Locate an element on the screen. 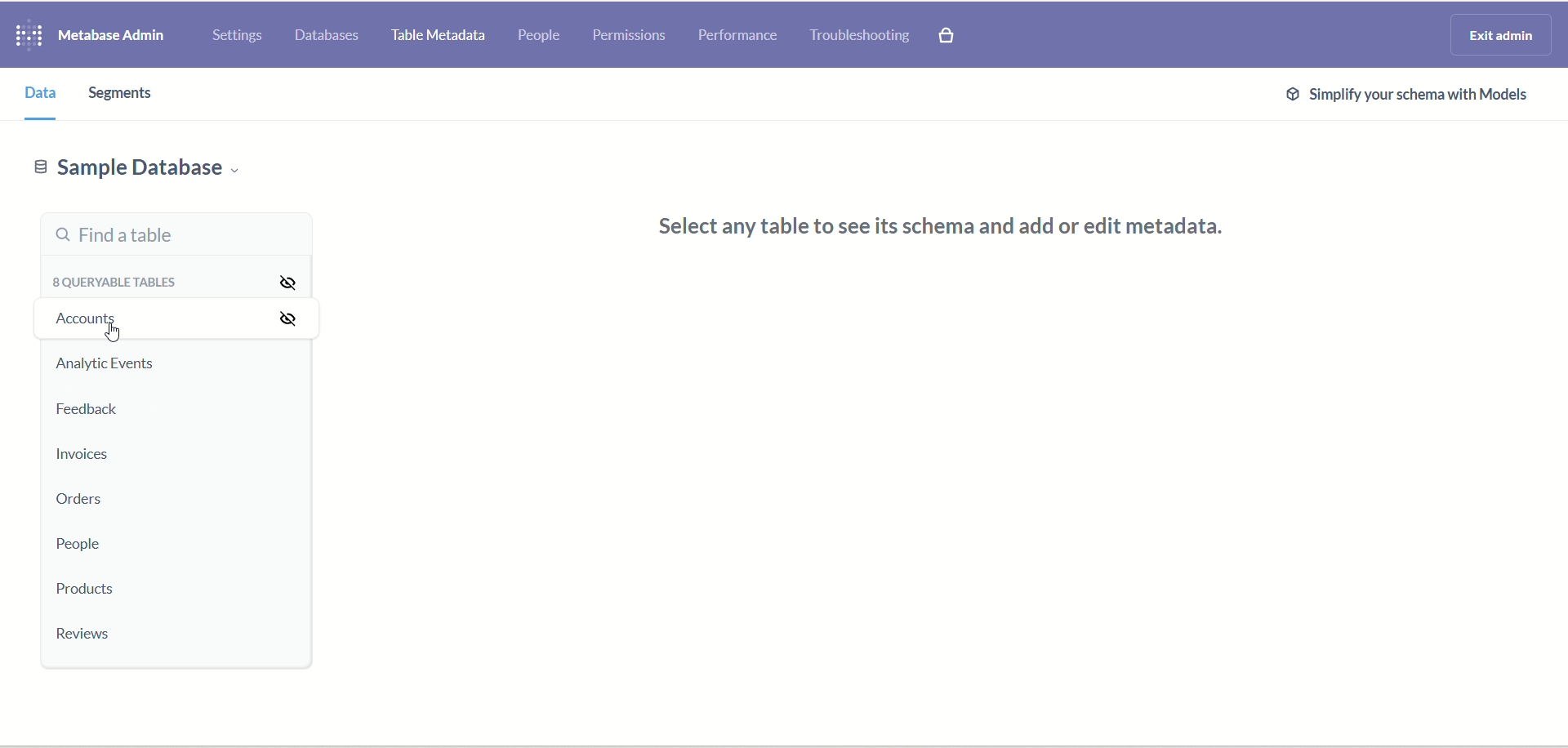 The image size is (1568, 748). simplify your schema with models is located at coordinates (1423, 98).